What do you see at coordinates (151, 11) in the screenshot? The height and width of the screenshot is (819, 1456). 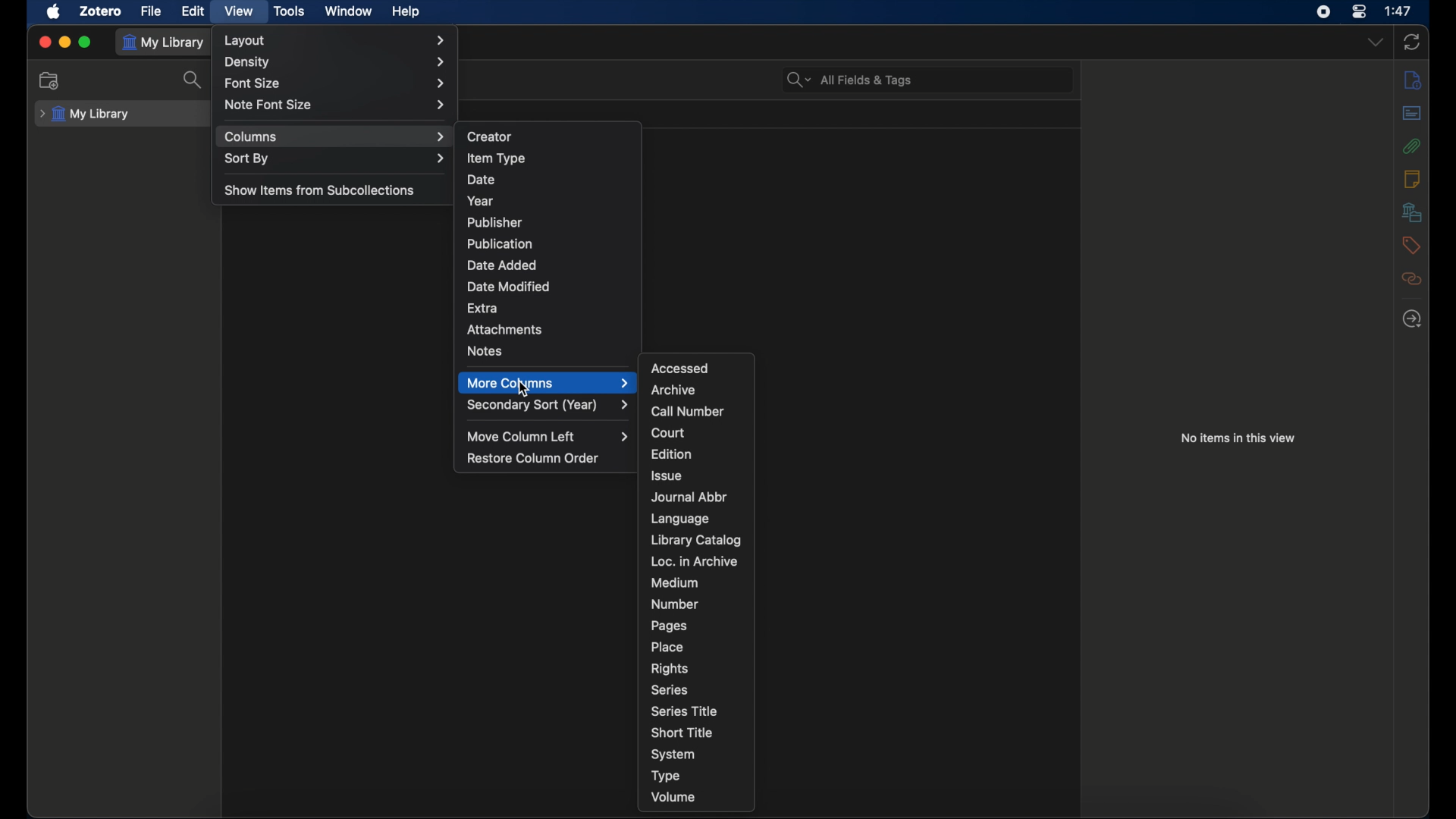 I see `file` at bounding box center [151, 11].